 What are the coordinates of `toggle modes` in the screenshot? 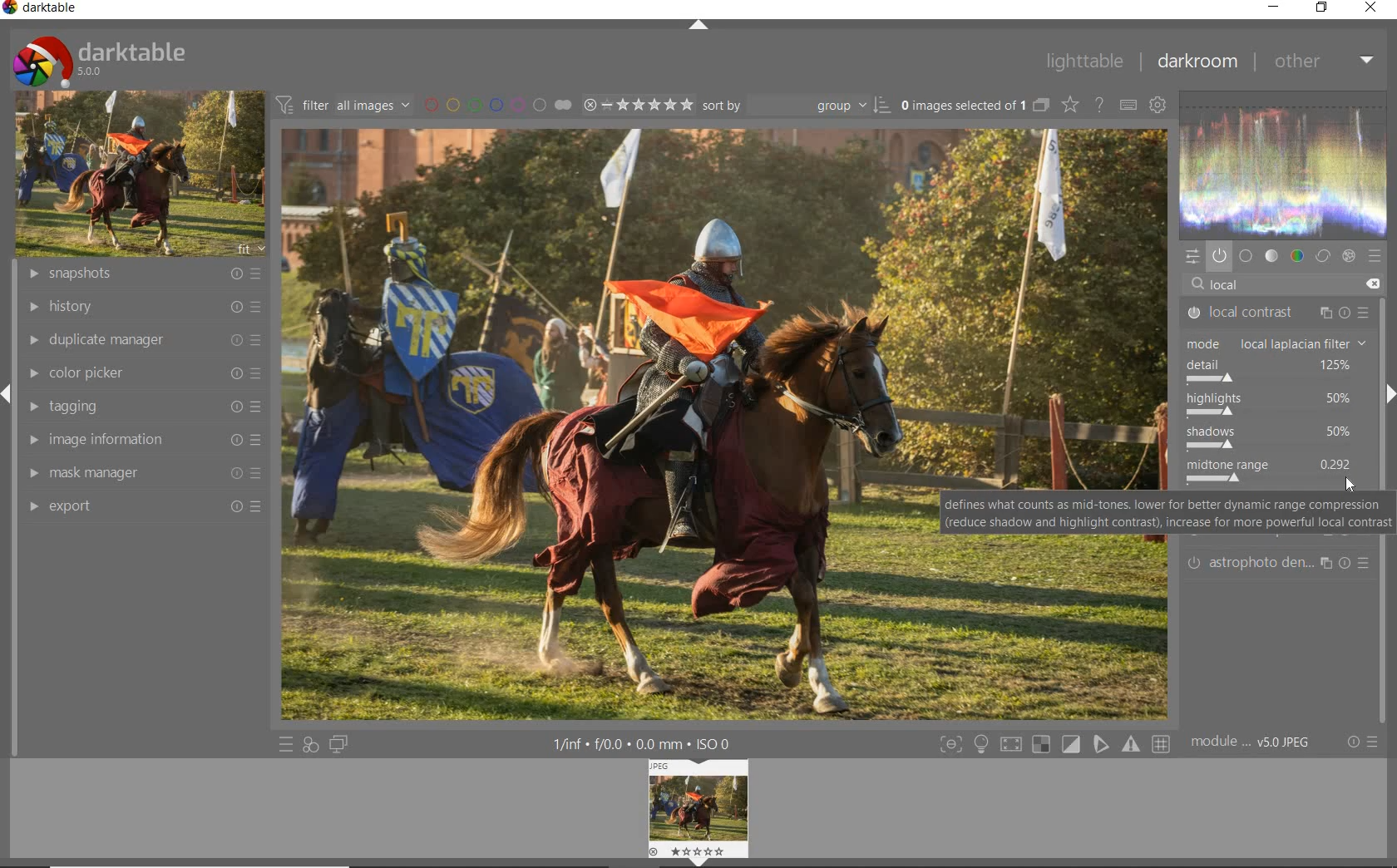 It's located at (981, 742).